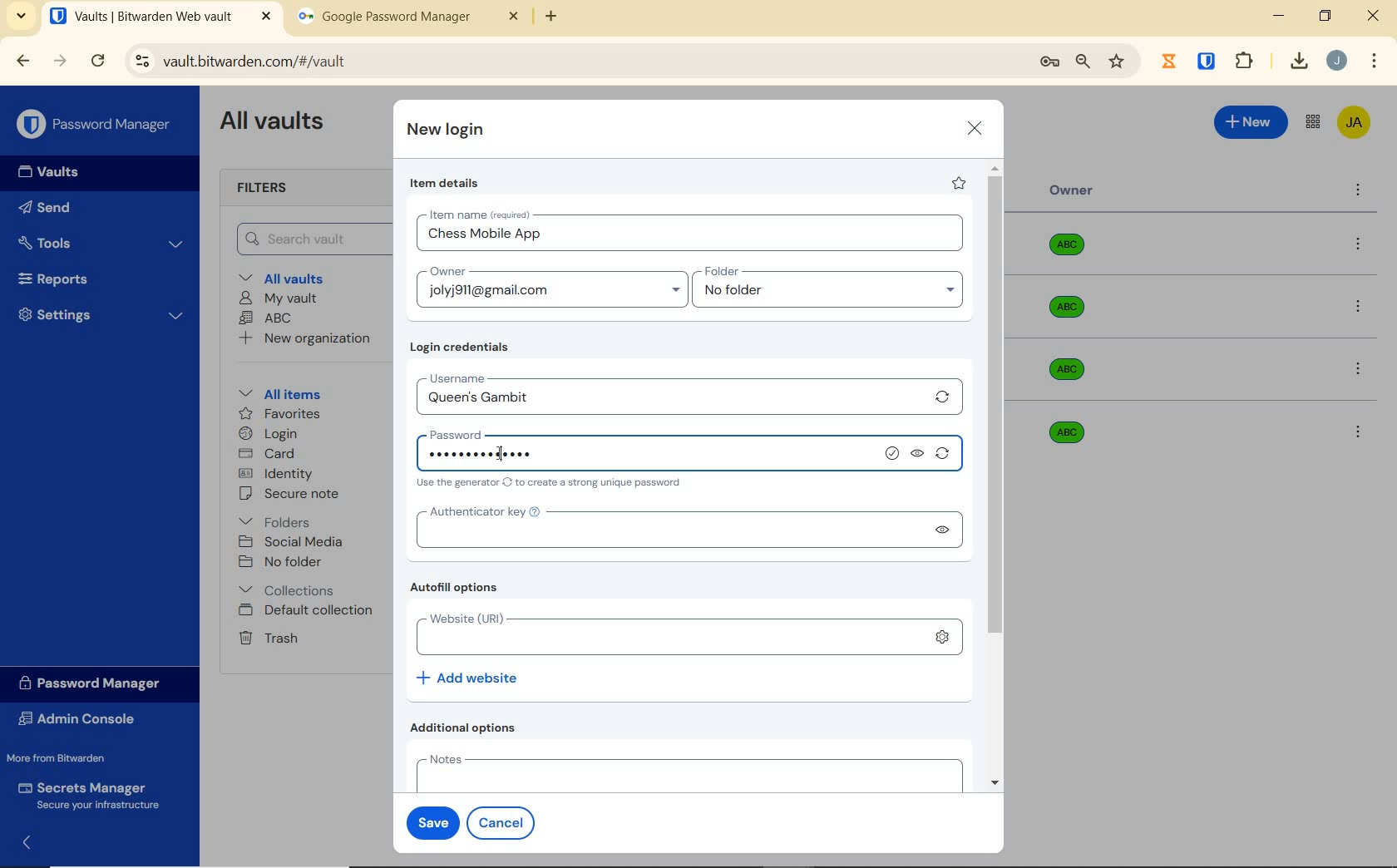 This screenshot has height=868, width=1397. Describe the element at coordinates (288, 590) in the screenshot. I see `collection` at that location.